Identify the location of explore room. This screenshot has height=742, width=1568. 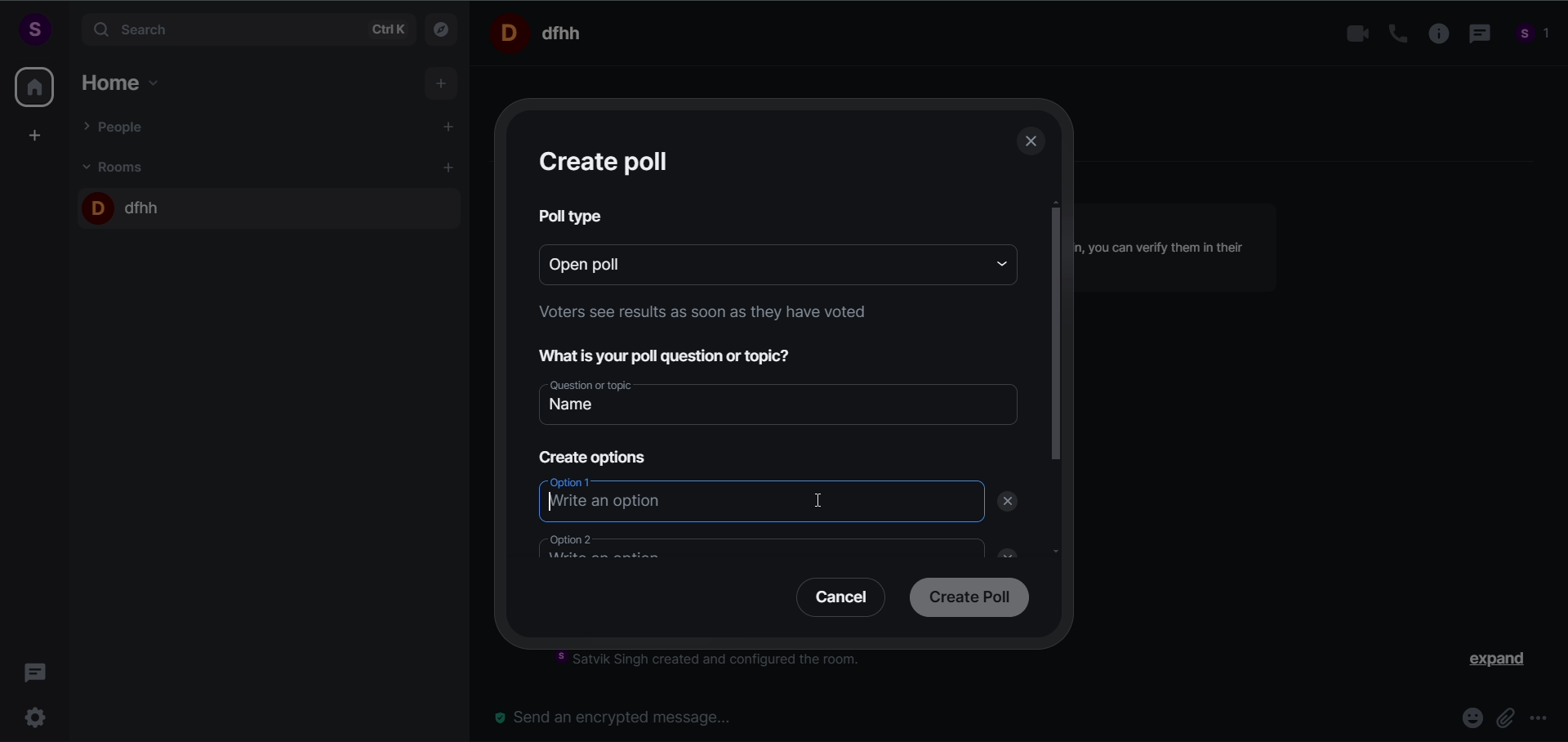
(443, 28).